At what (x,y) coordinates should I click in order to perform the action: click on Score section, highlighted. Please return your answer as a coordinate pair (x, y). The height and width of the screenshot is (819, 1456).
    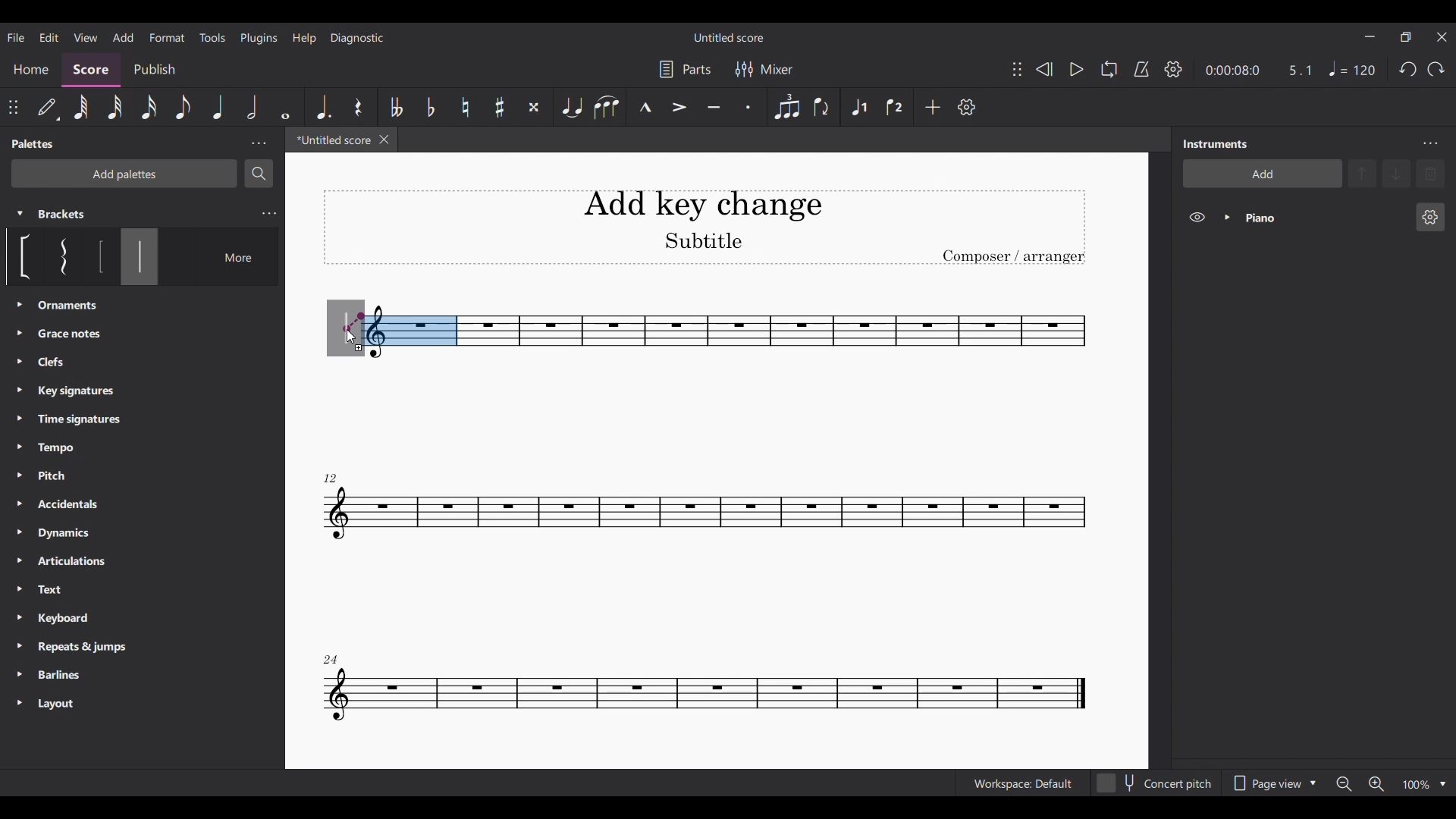
    Looking at the image, I should click on (90, 70).